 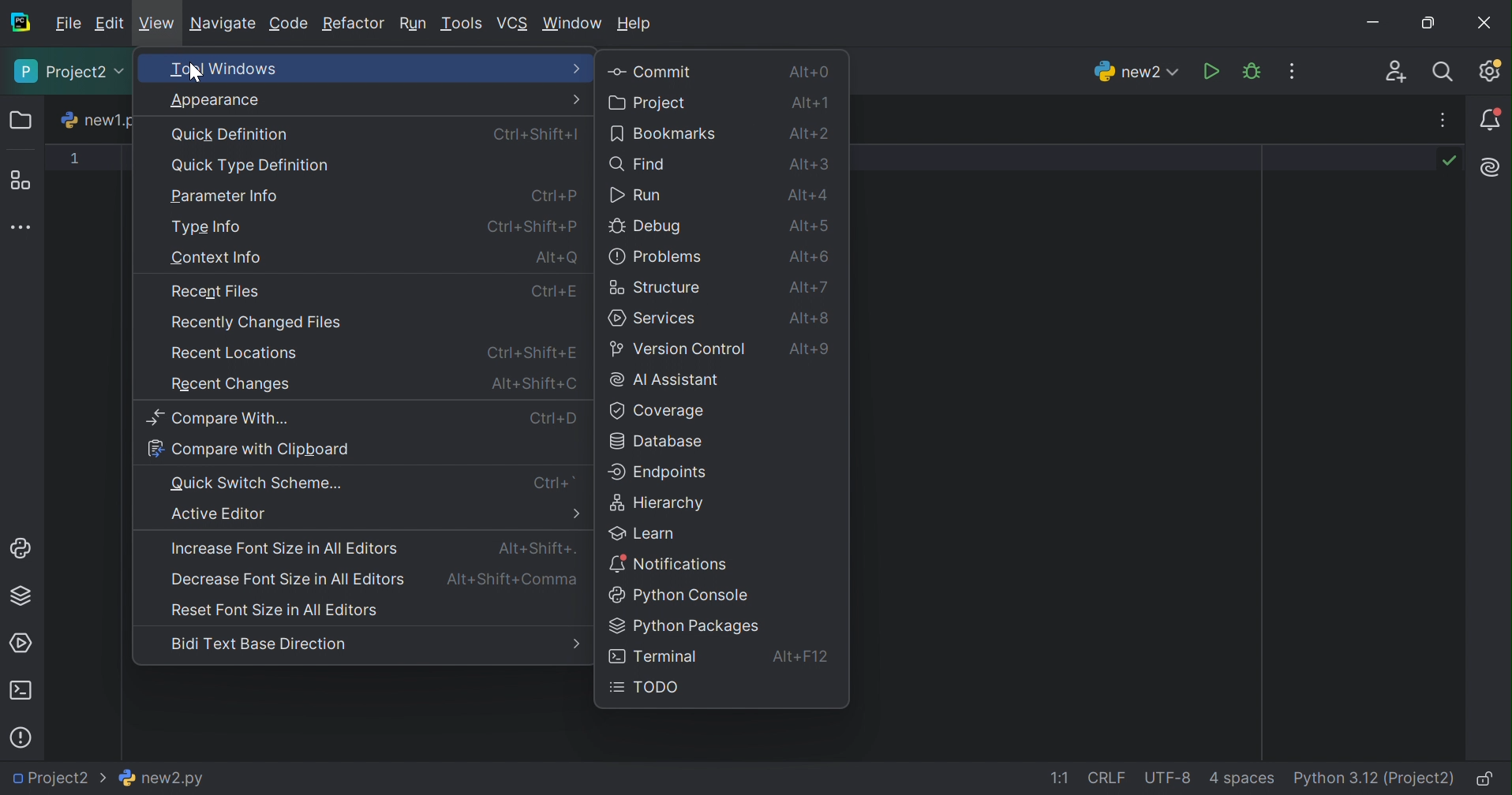 What do you see at coordinates (74, 158) in the screenshot?
I see `1` at bounding box center [74, 158].